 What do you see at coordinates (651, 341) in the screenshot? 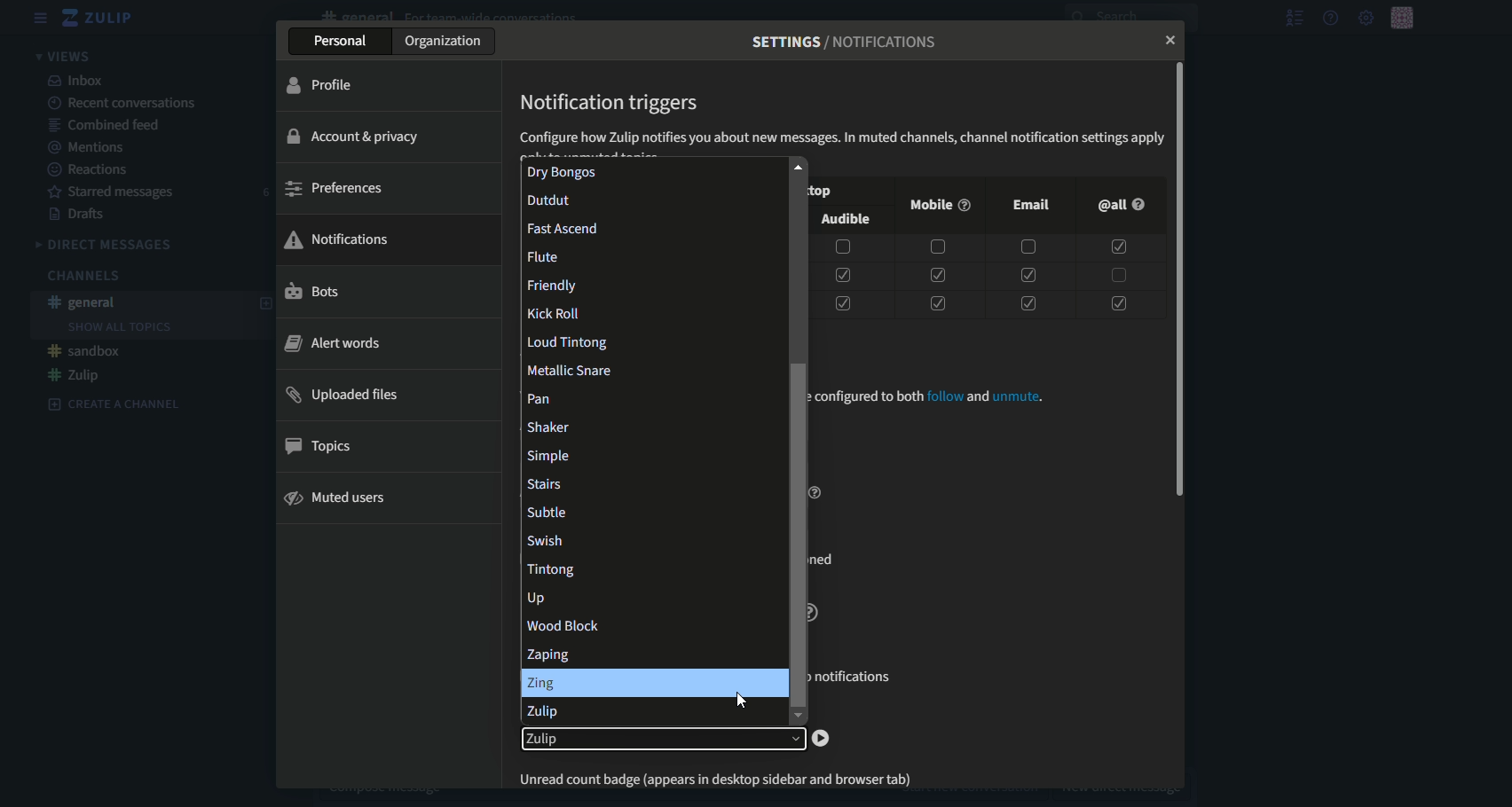
I see `loud tintong` at bounding box center [651, 341].